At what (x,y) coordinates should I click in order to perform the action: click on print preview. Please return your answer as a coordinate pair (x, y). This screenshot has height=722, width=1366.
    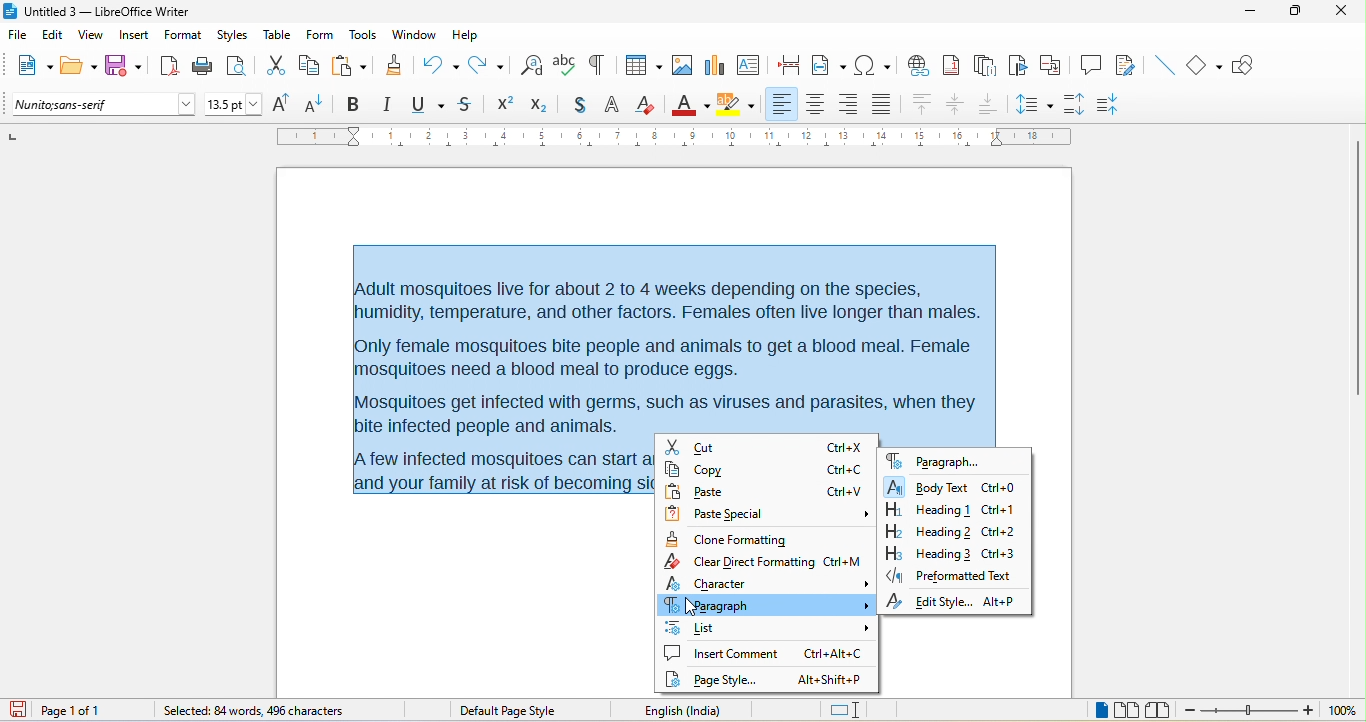
    Looking at the image, I should click on (241, 66).